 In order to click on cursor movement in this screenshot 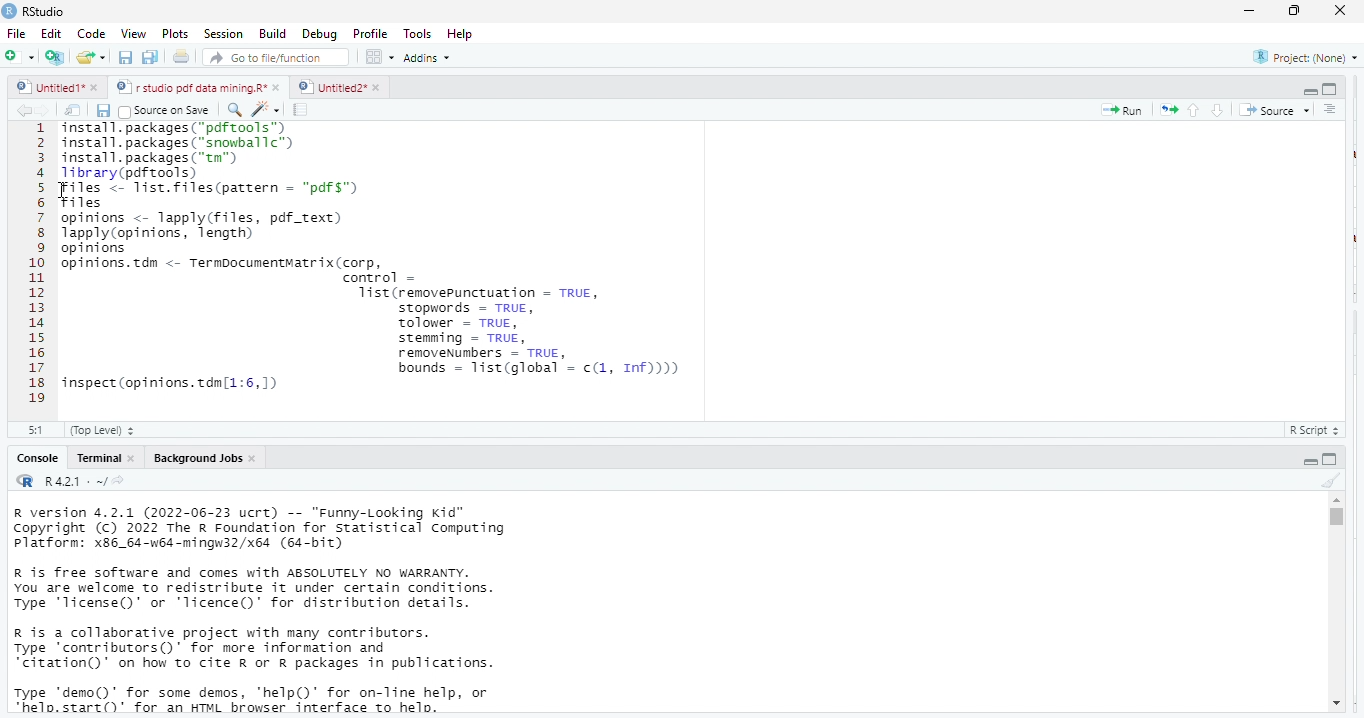, I will do `click(67, 195)`.